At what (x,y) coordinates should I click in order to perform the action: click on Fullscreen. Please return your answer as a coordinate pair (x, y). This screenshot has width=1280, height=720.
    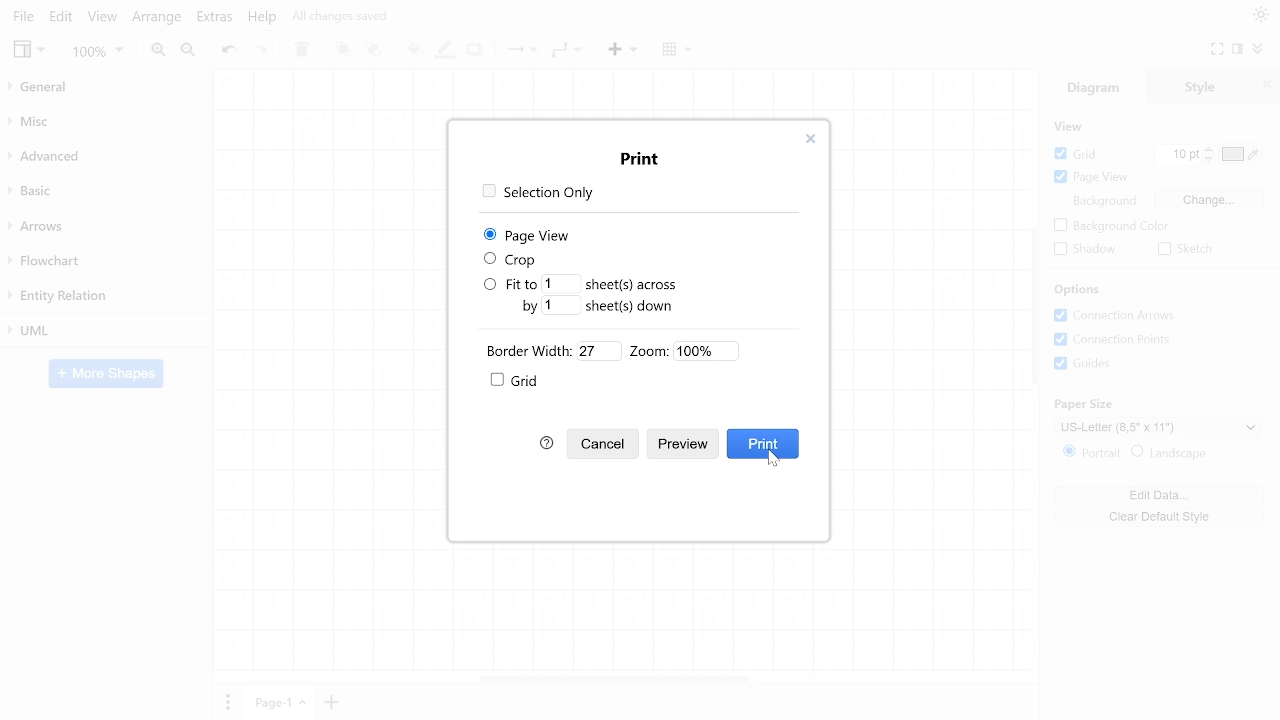
    Looking at the image, I should click on (1217, 49).